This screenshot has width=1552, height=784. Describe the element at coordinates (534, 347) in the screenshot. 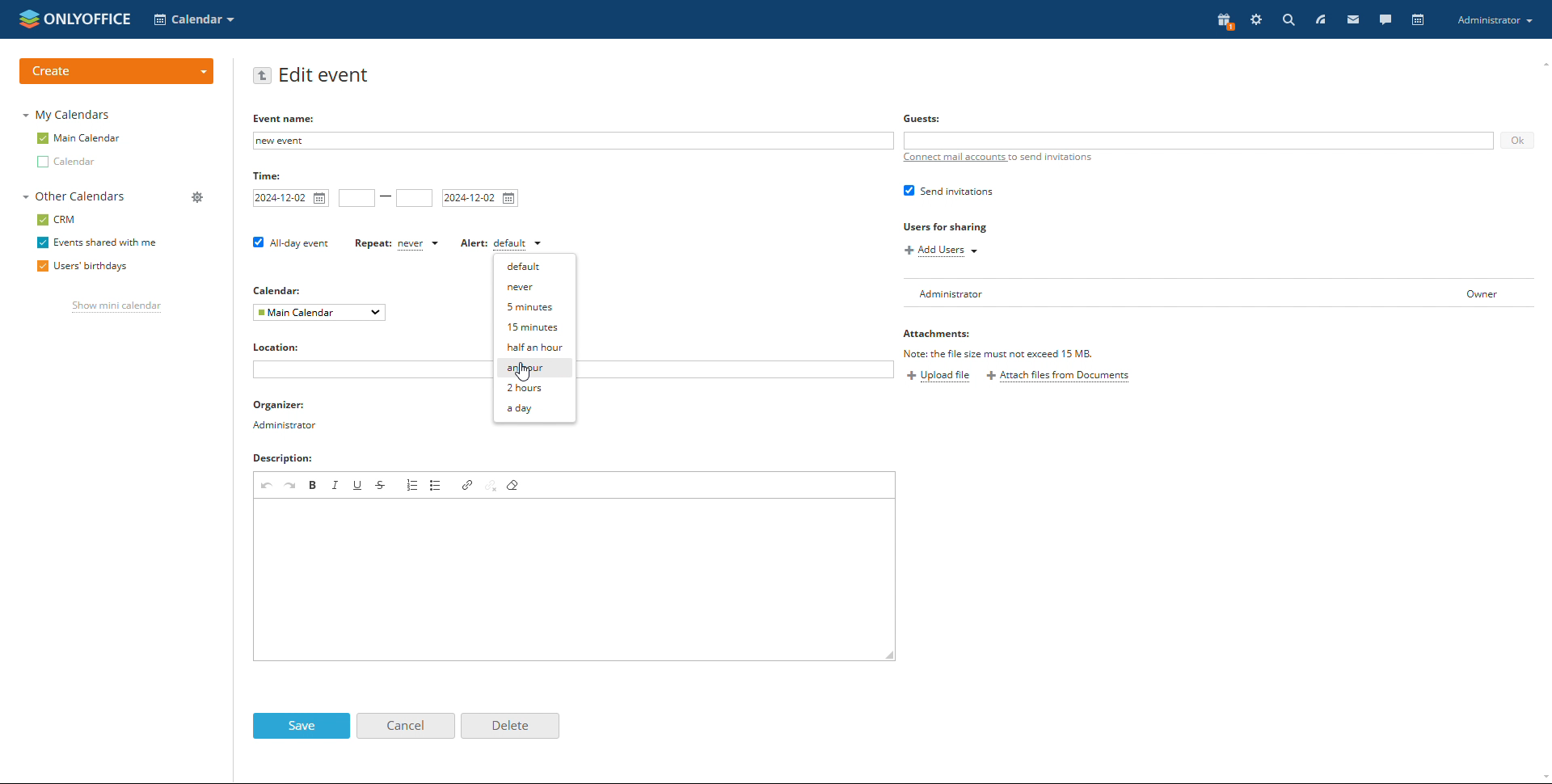

I see `half an hour` at that location.